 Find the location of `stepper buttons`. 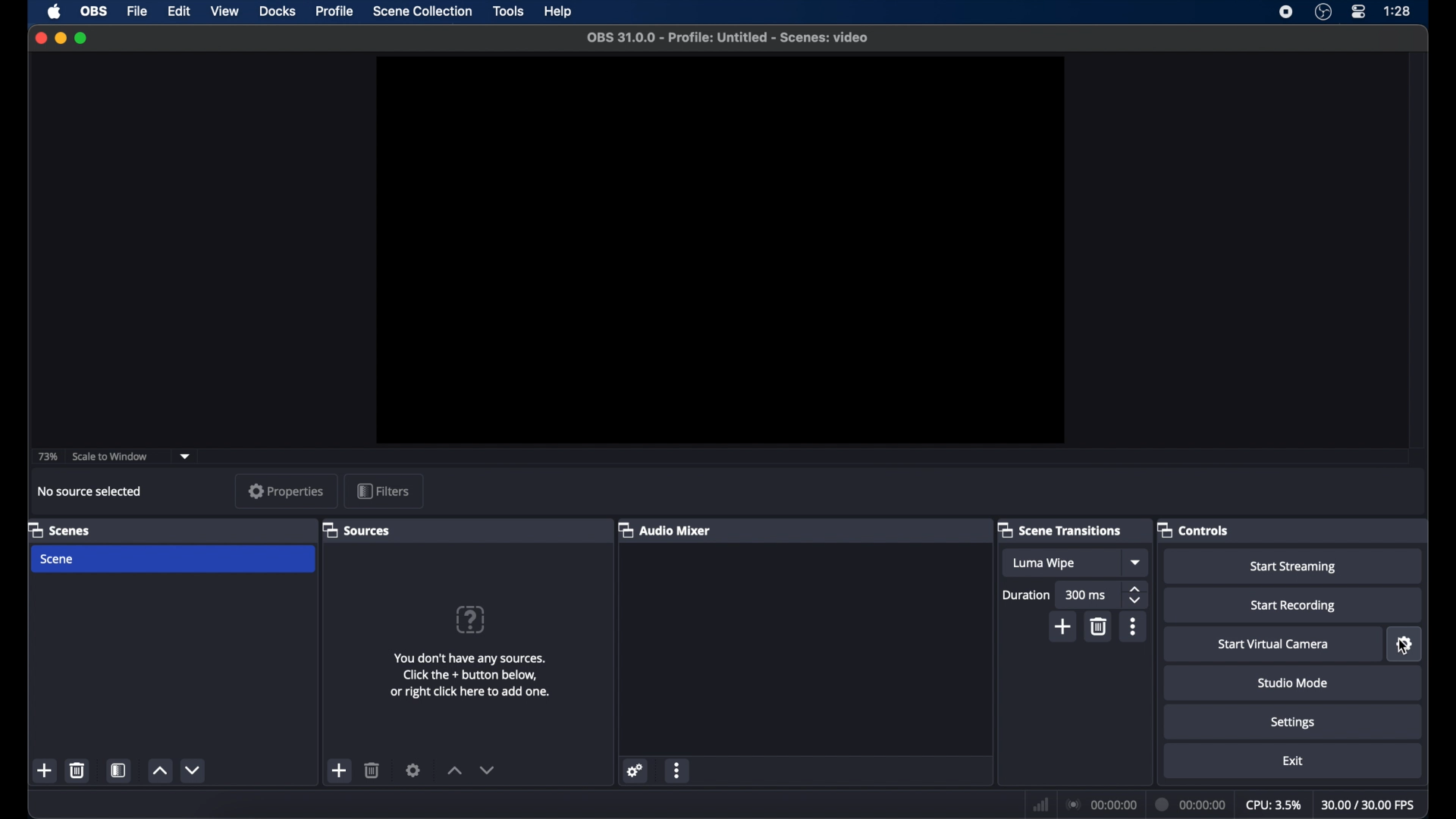

stepper buttons is located at coordinates (1134, 595).